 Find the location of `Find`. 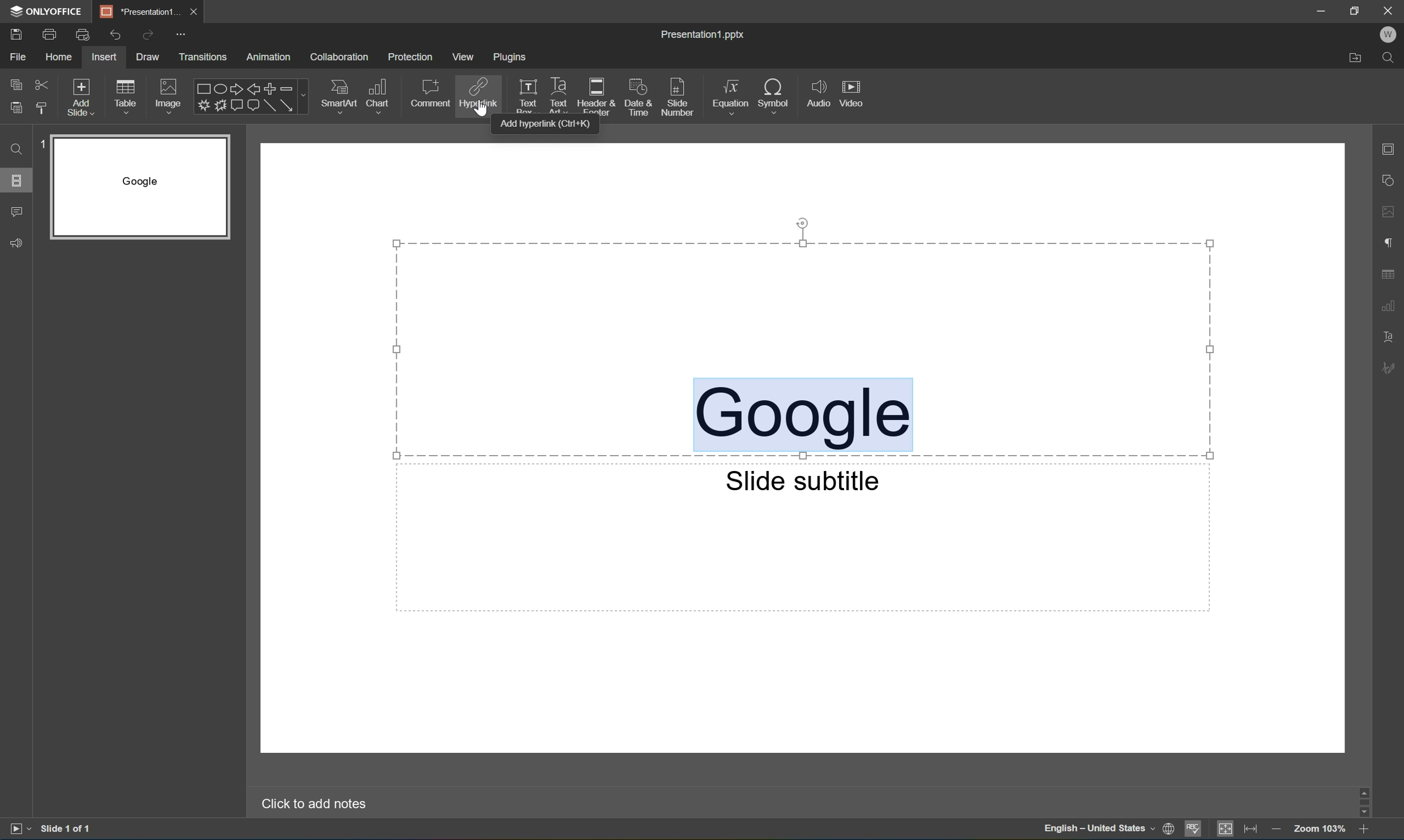

Find is located at coordinates (15, 149).